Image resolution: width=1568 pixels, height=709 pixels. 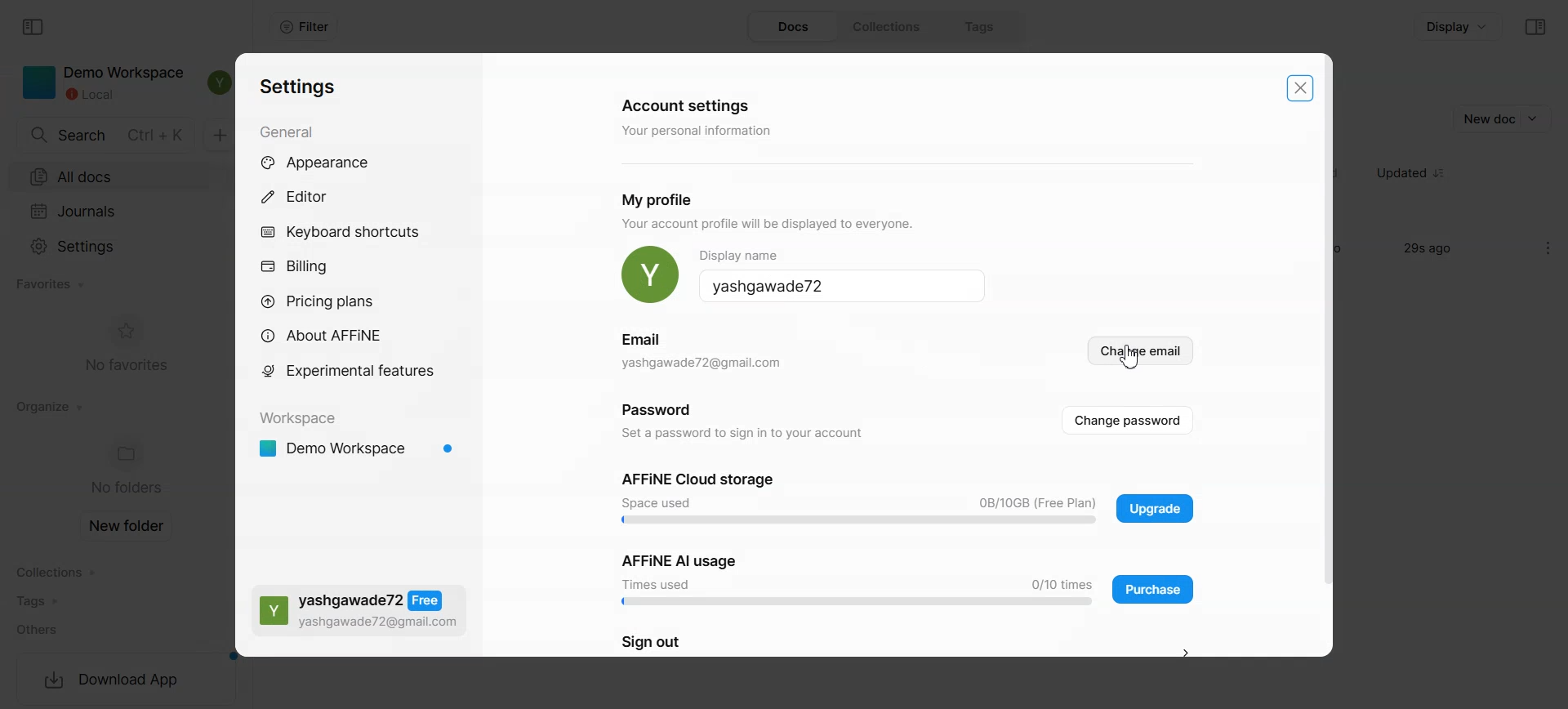 I want to click on settings, so click(x=300, y=87).